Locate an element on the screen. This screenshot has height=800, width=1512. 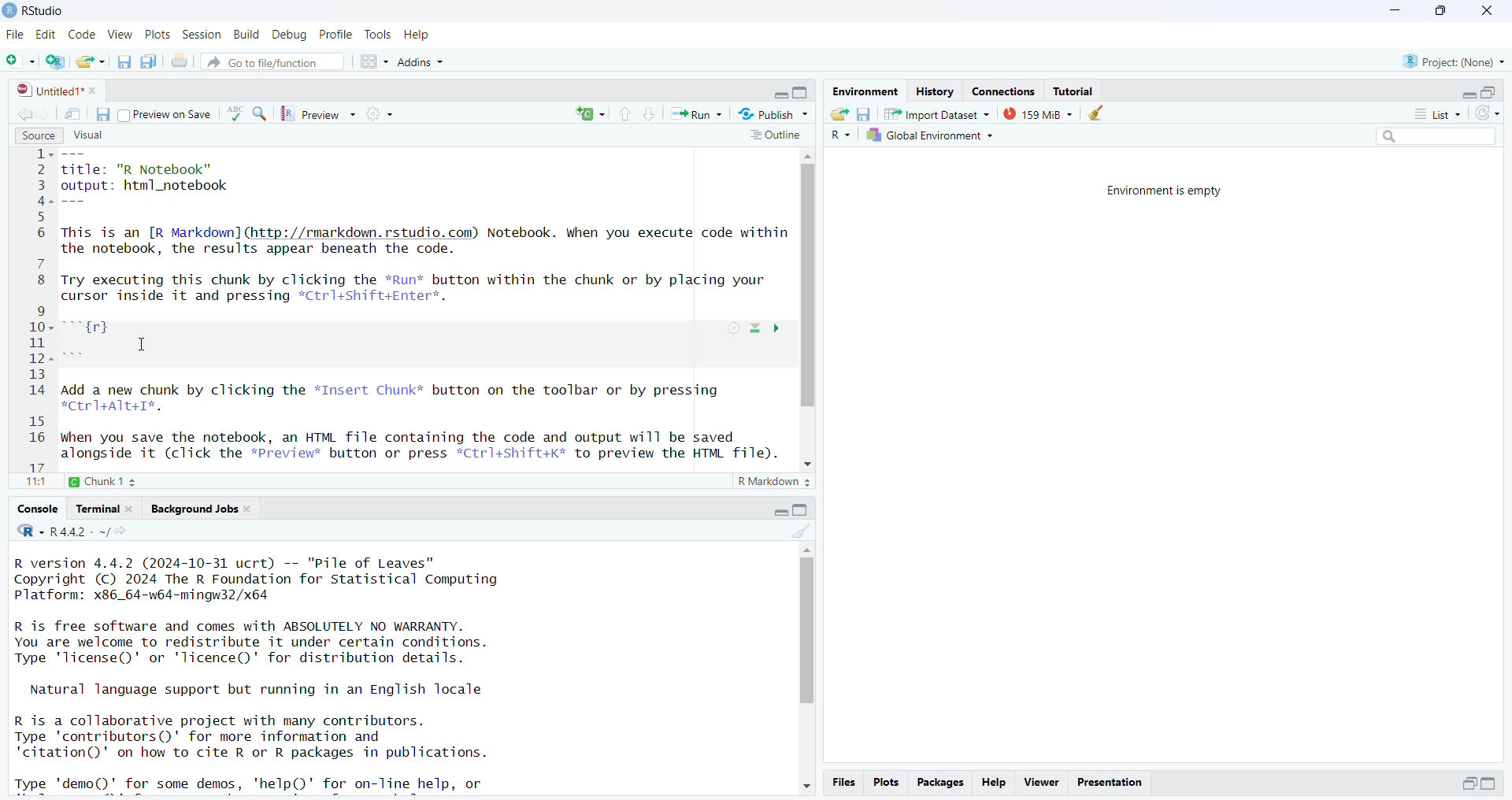
save all open documents is located at coordinates (150, 61).